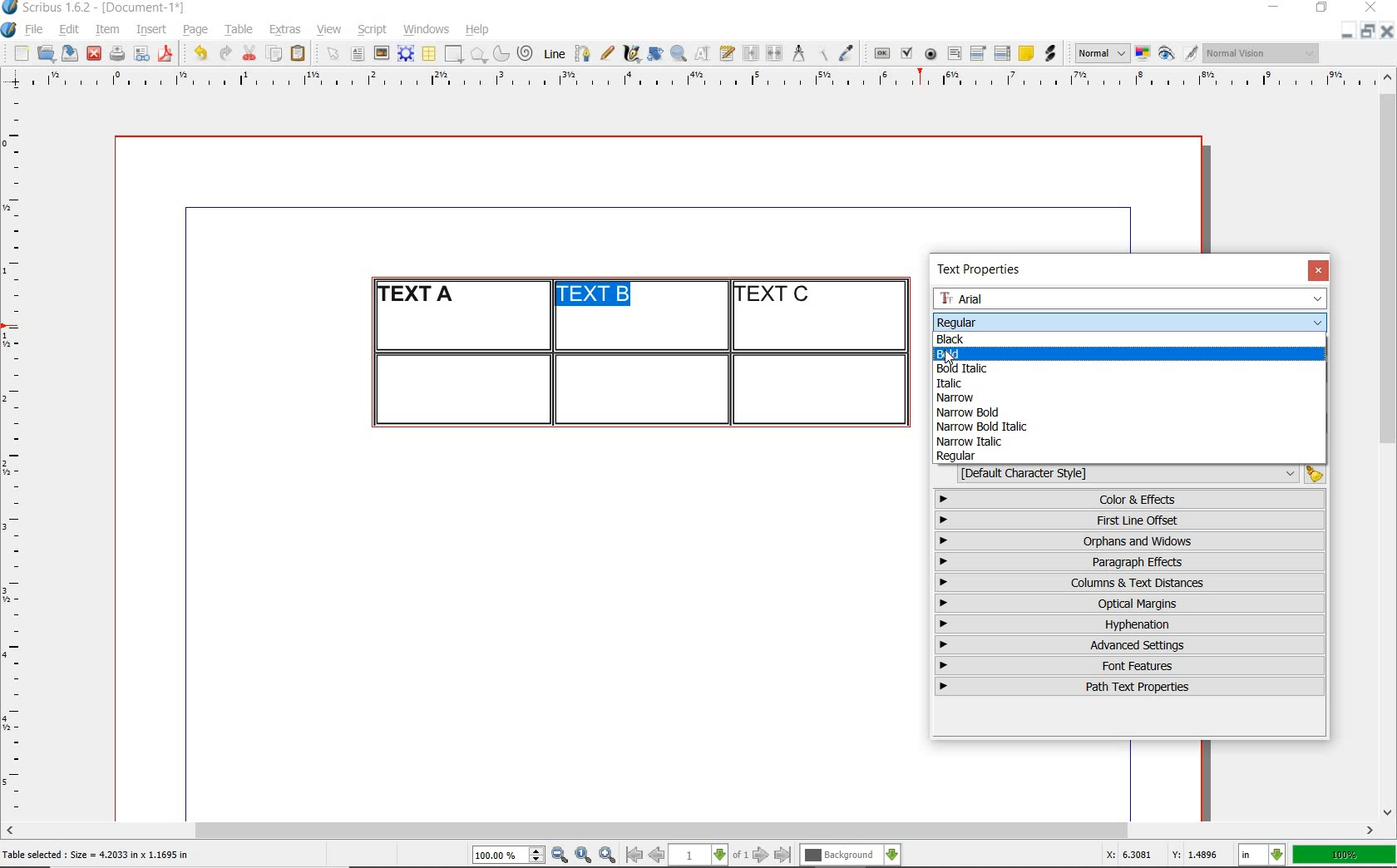 The width and height of the screenshot is (1397, 868). Describe the element at coordinates (655, 53) in the screenshot. I see `rotate item` at that location.